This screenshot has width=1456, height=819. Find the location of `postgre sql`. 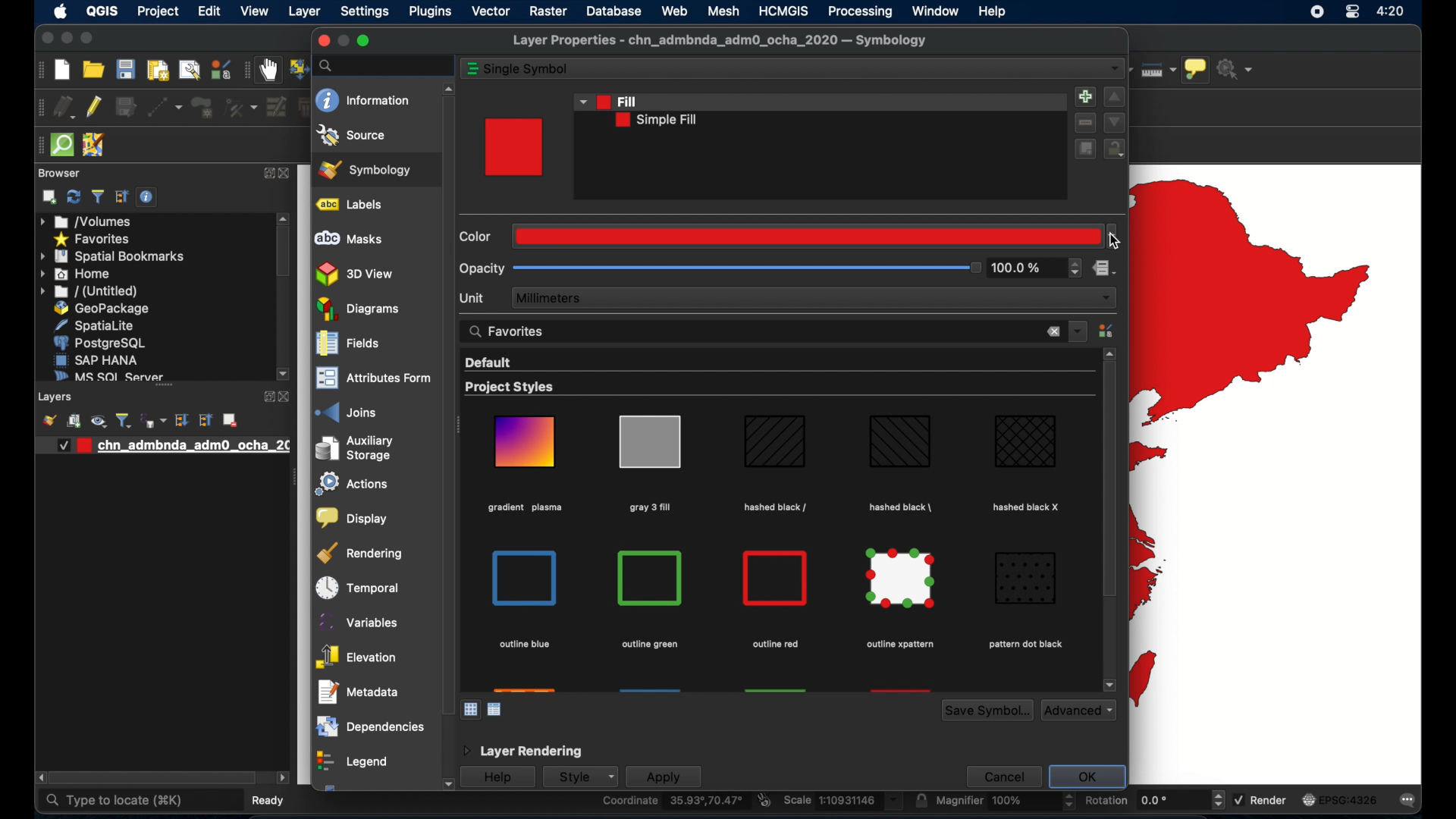

postgre sql is located at coordinates (99, 343).